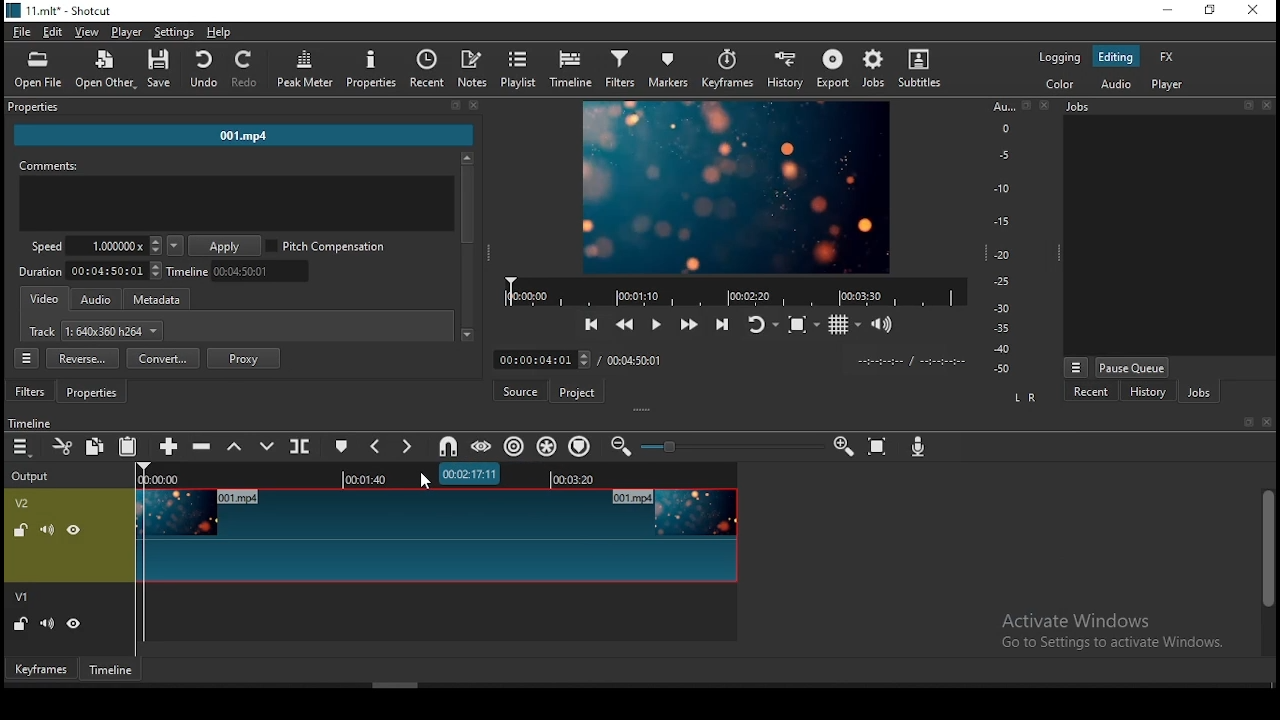  I want to click on keyframes, so click(39, 668).